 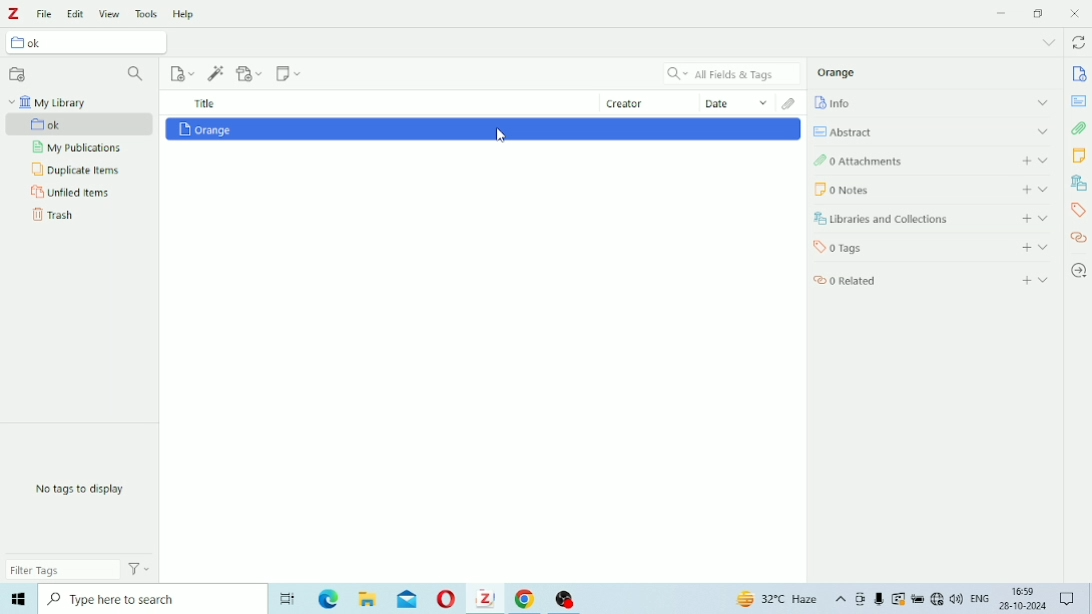 I want to click on ENG, so click(x=980, y=597).